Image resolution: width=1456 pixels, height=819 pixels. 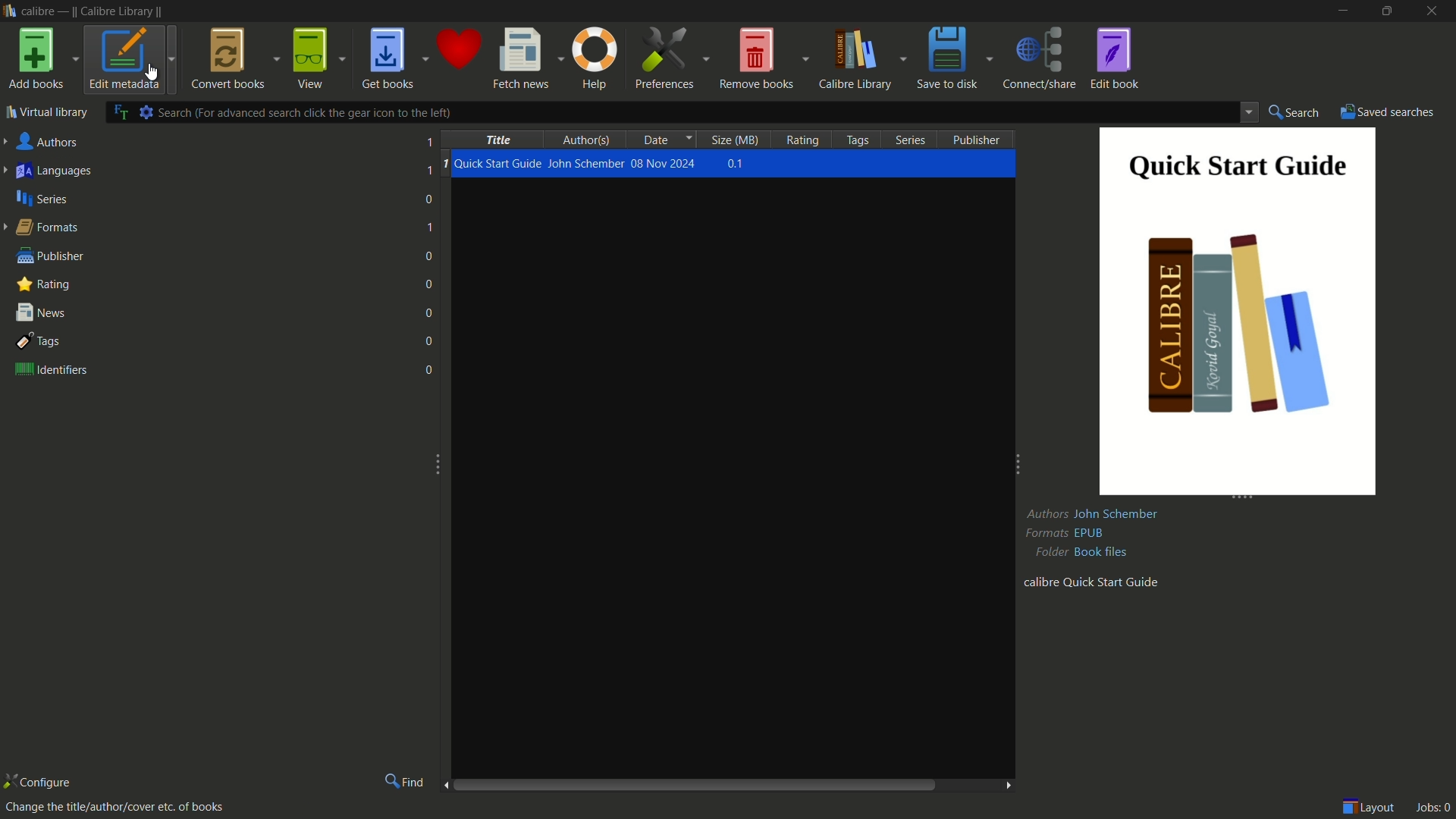 What do you see at coordinates (48, 141) in the screenshot?
I see `authors` at bounding box center [48, 141].